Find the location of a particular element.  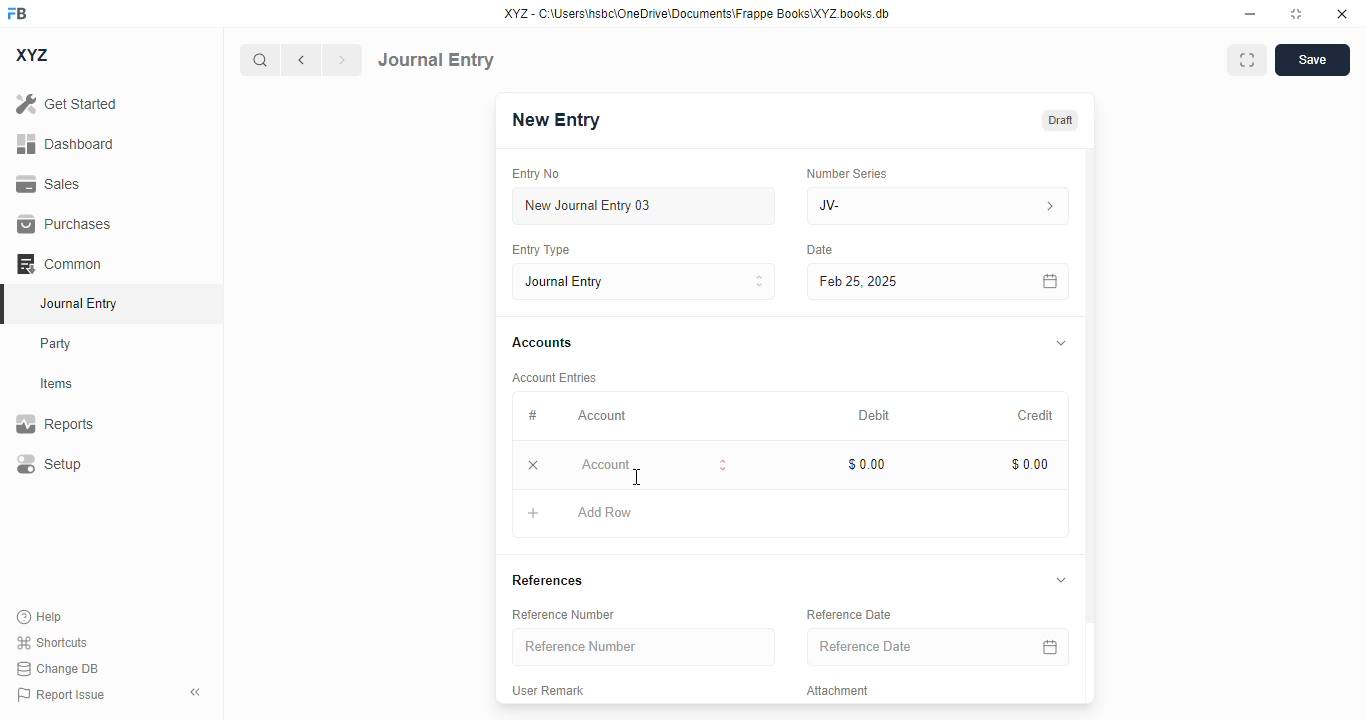

toggle sidebar is located at coordinates (197, 692).